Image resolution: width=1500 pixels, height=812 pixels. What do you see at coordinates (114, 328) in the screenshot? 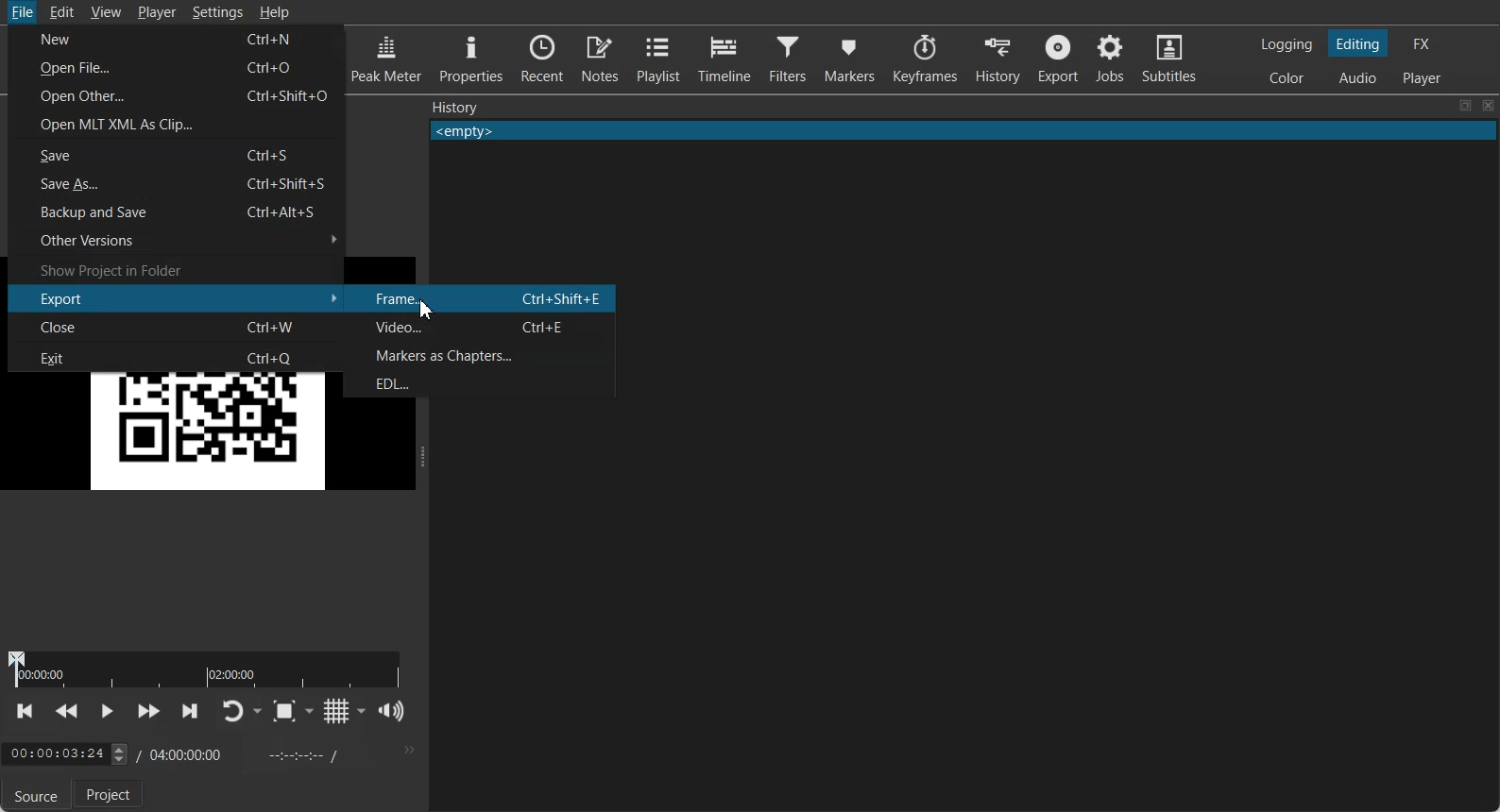
I see `Close` at bounding box center [114, 328].